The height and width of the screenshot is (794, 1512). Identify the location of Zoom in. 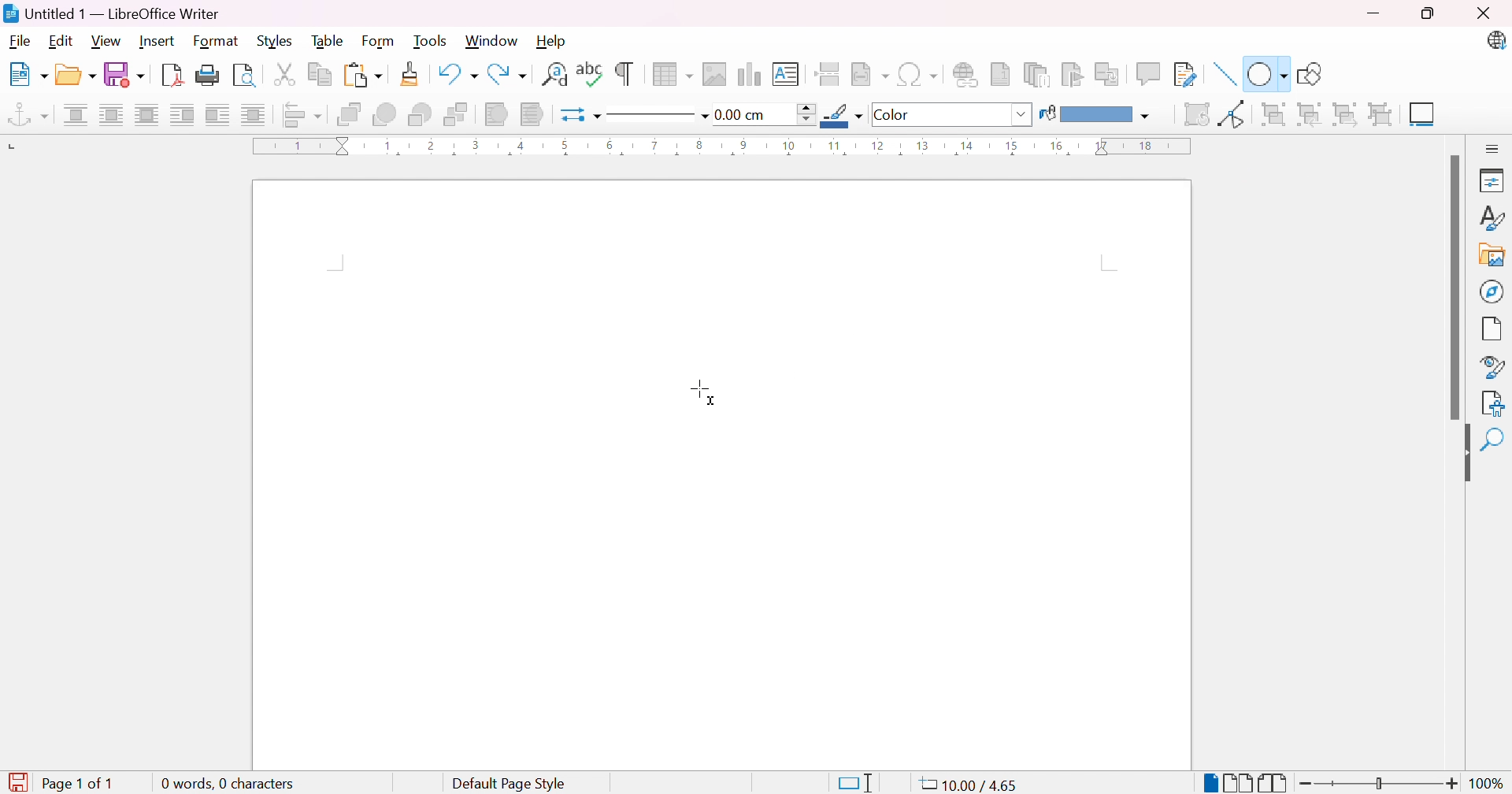
(1455, 784).